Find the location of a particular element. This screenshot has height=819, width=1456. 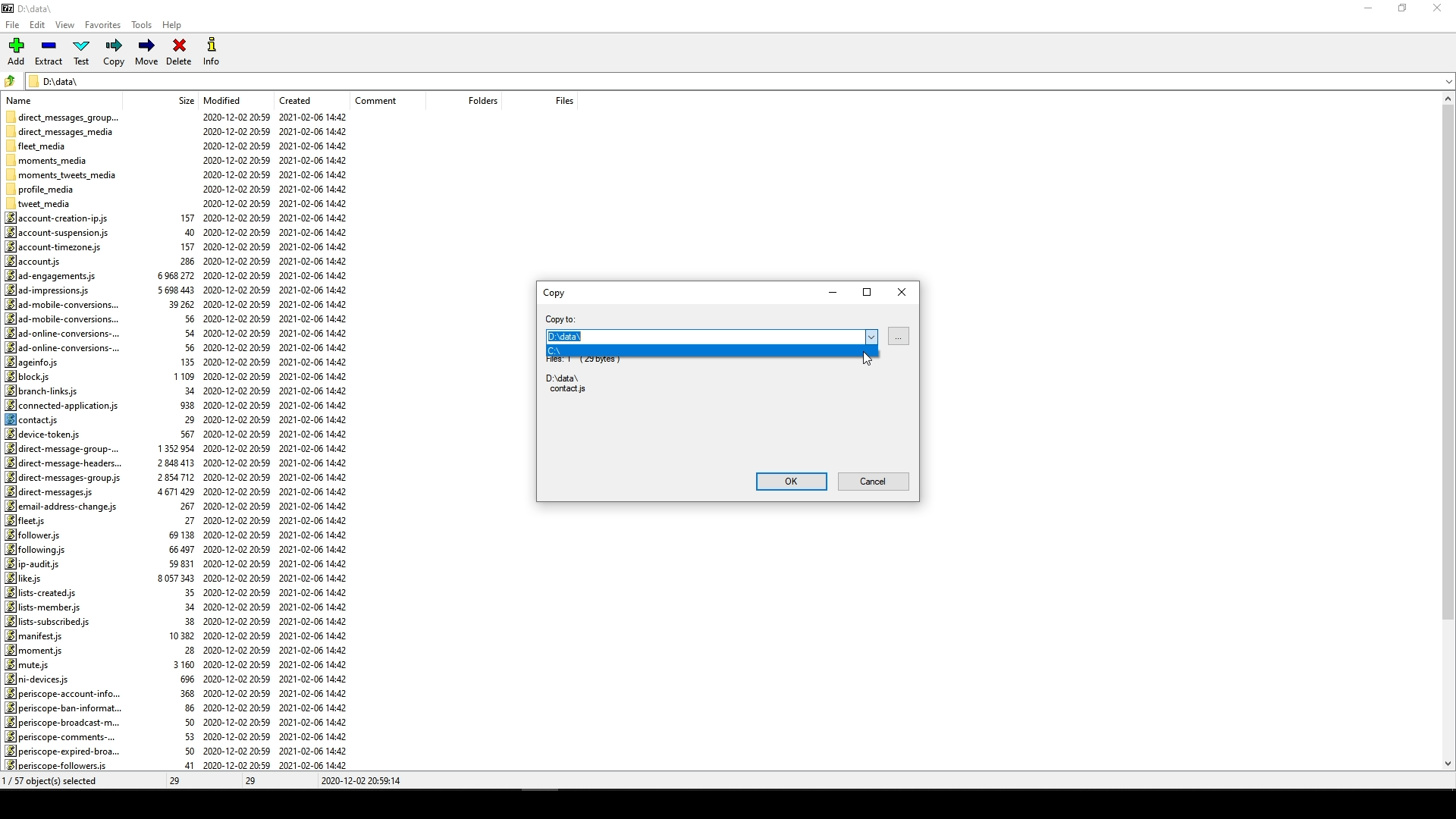

Dropdown is located at coordinates (872, 337).